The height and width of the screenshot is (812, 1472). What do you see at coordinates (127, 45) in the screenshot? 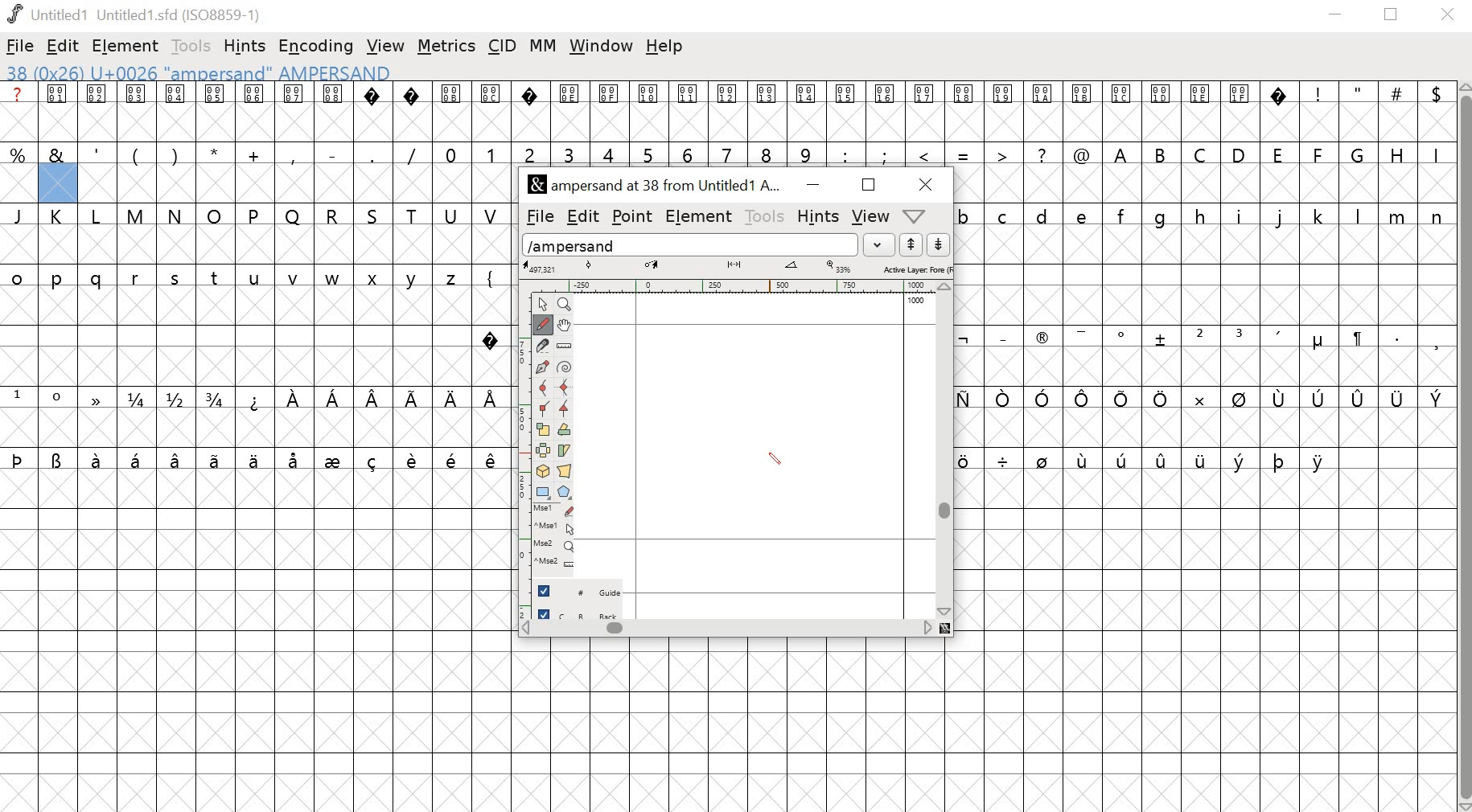
I see `element` at bounding box center [127, 45].